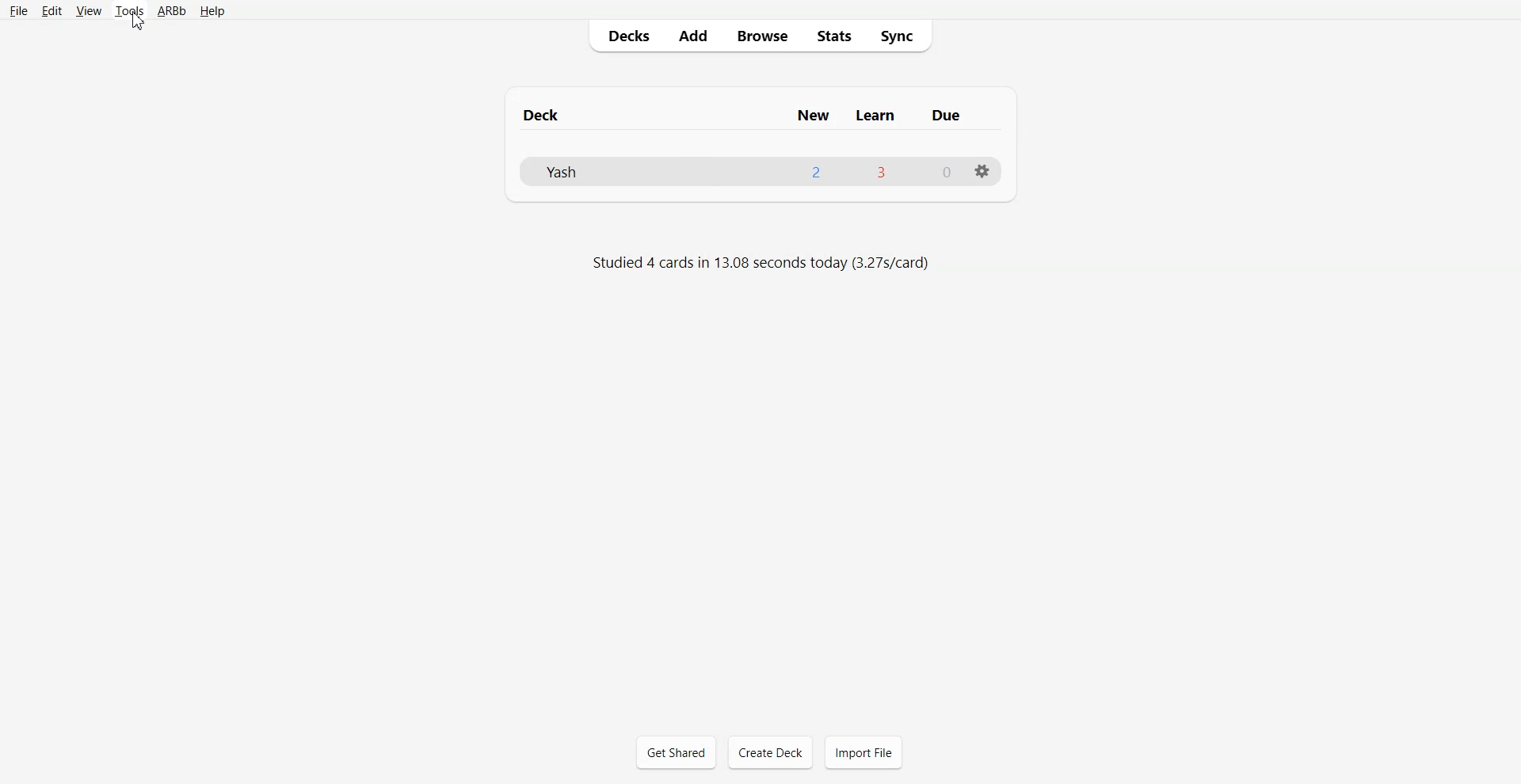 This screenshot has height=784, width=1521. Describe the element at coordinates (764, 264) in the screenshot. I see `Studied 4 cards in 13.08 seconds today (3.27s/card)` at that location.